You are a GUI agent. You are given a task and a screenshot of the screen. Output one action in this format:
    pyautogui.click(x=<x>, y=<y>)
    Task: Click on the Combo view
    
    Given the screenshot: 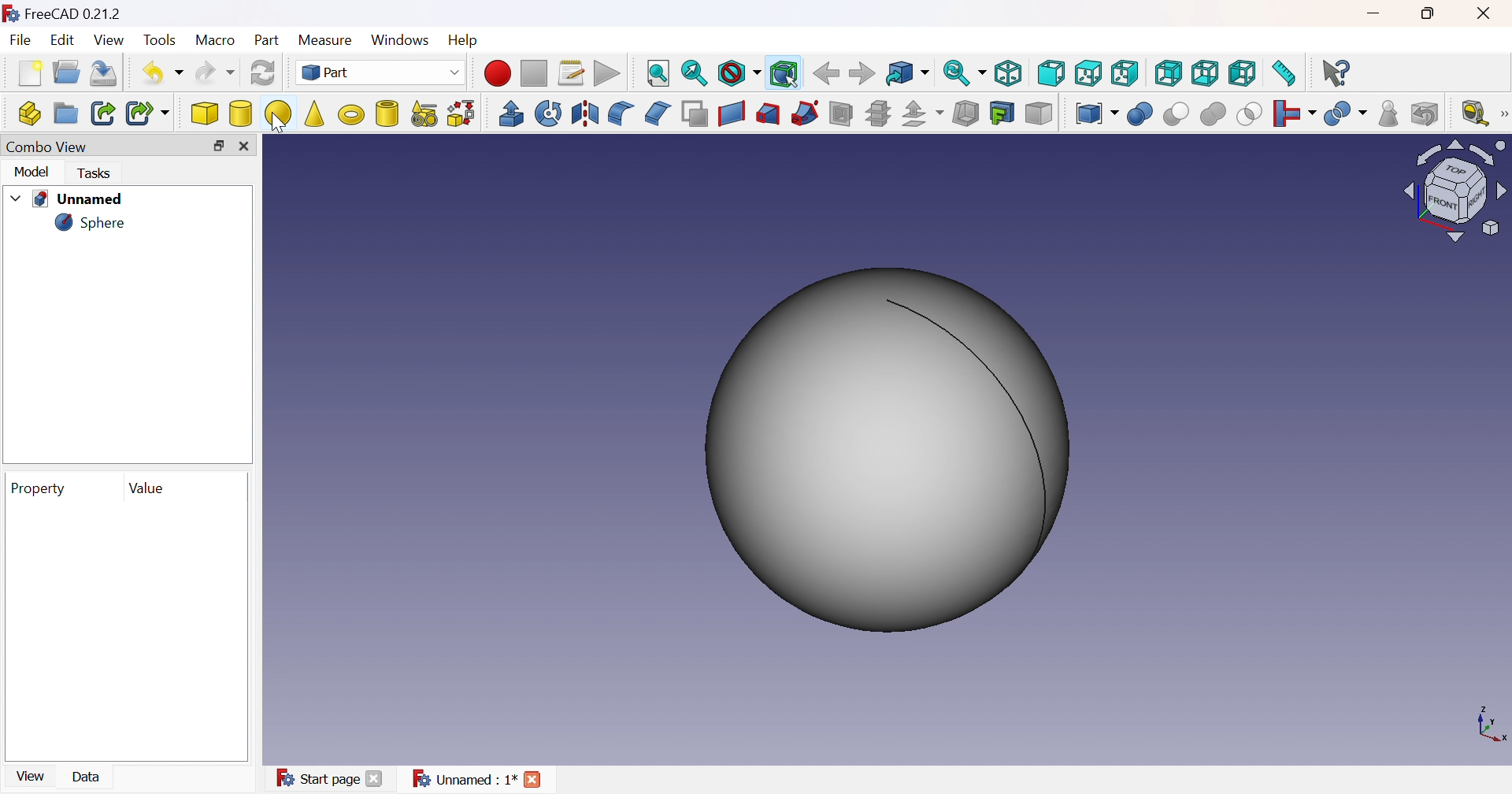 What is the action you would take?
    pyautogui.click(x=50, y=147)
    